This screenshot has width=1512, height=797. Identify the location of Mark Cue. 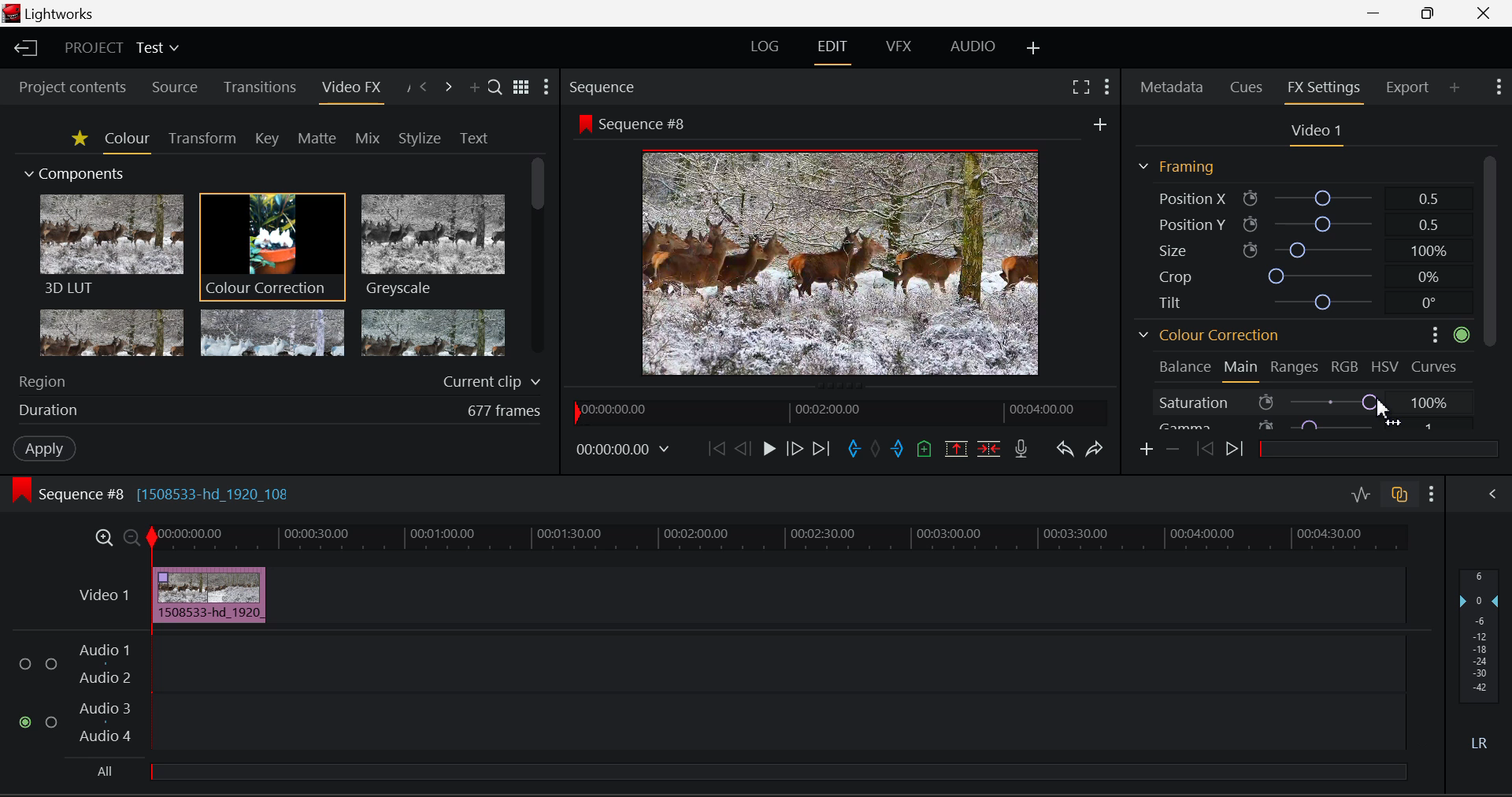
(925, 450).